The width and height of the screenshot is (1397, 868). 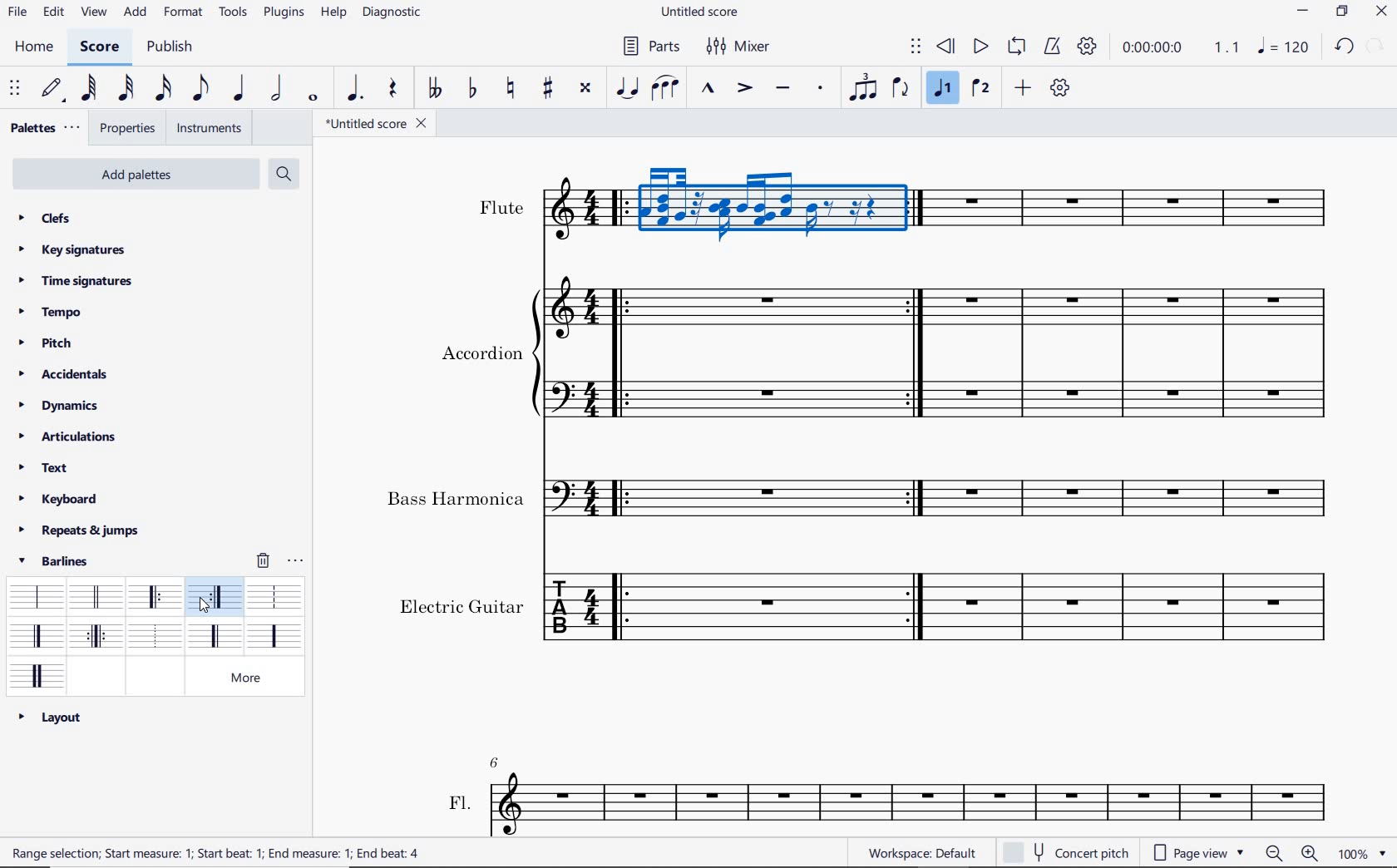 I want to click on left (start) repeat sign added, so click(x=623, y=350).